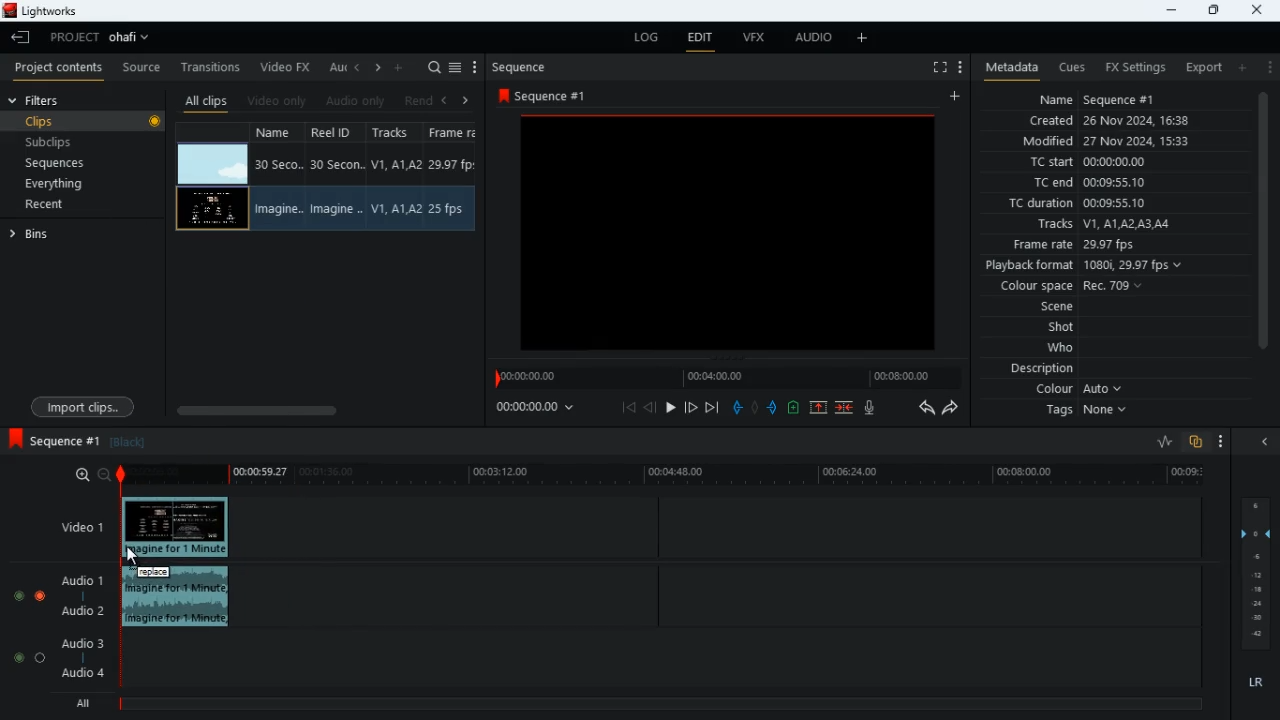  I want to click on import clips, so click(86, 405).